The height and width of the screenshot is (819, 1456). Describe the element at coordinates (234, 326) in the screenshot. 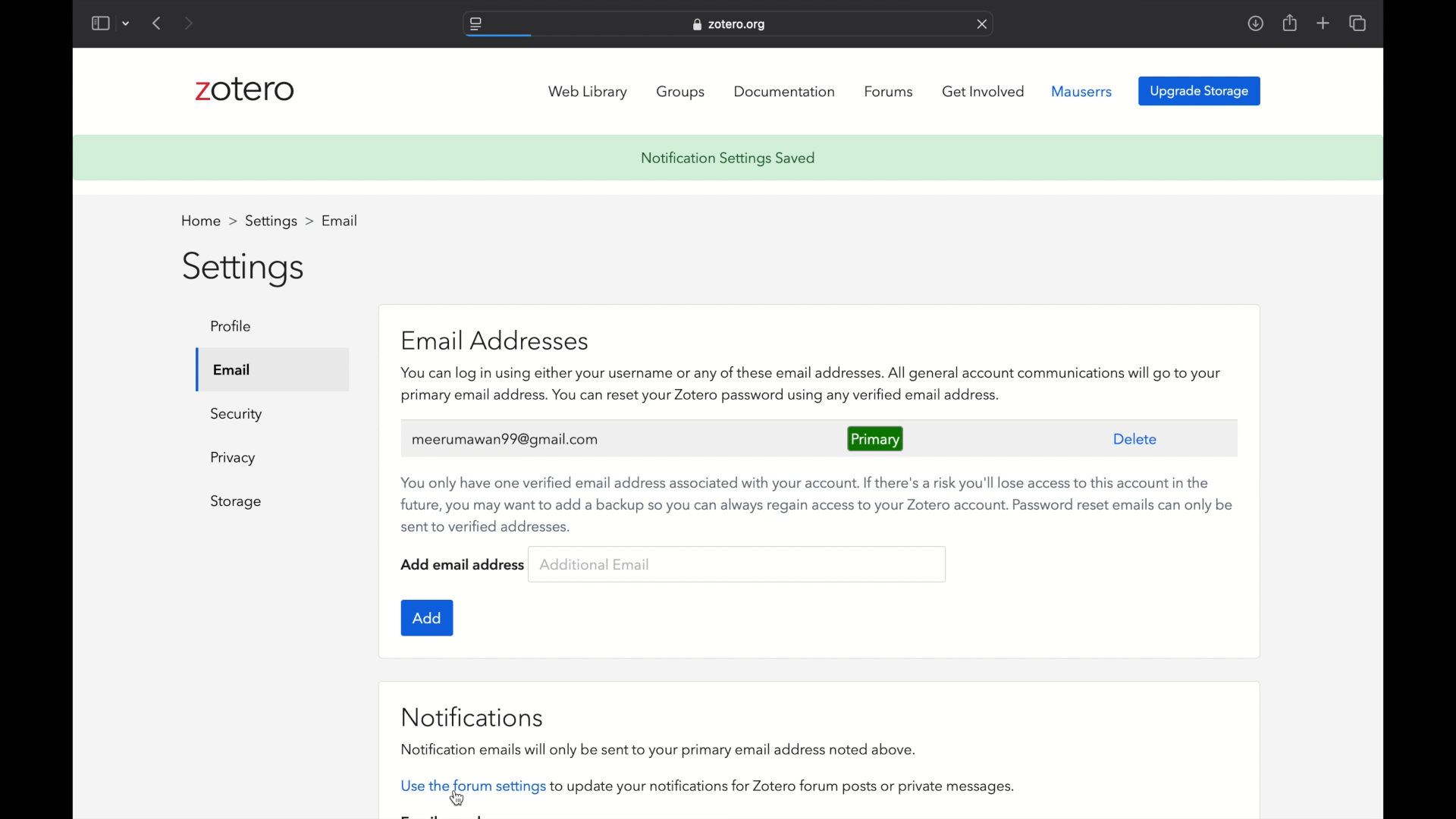

I see `profile` at that location.